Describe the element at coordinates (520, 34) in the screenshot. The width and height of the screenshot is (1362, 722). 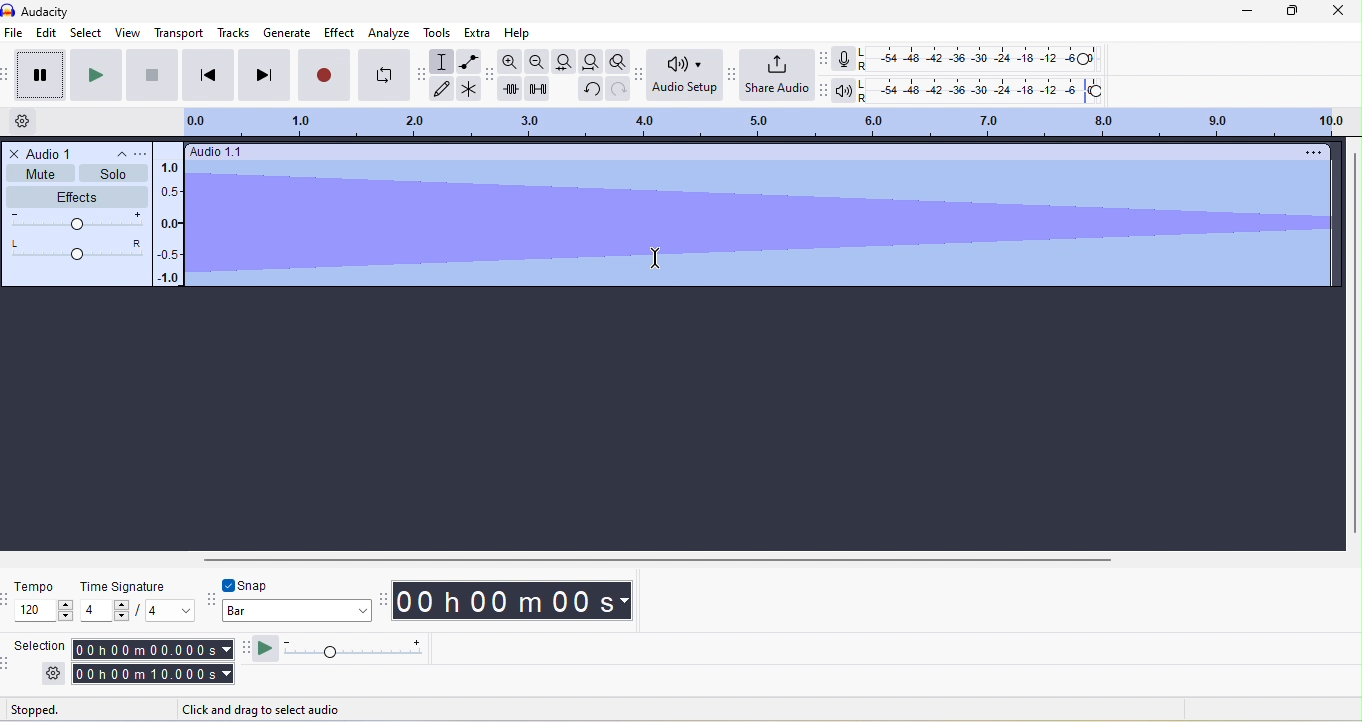
I see `help` at that location.